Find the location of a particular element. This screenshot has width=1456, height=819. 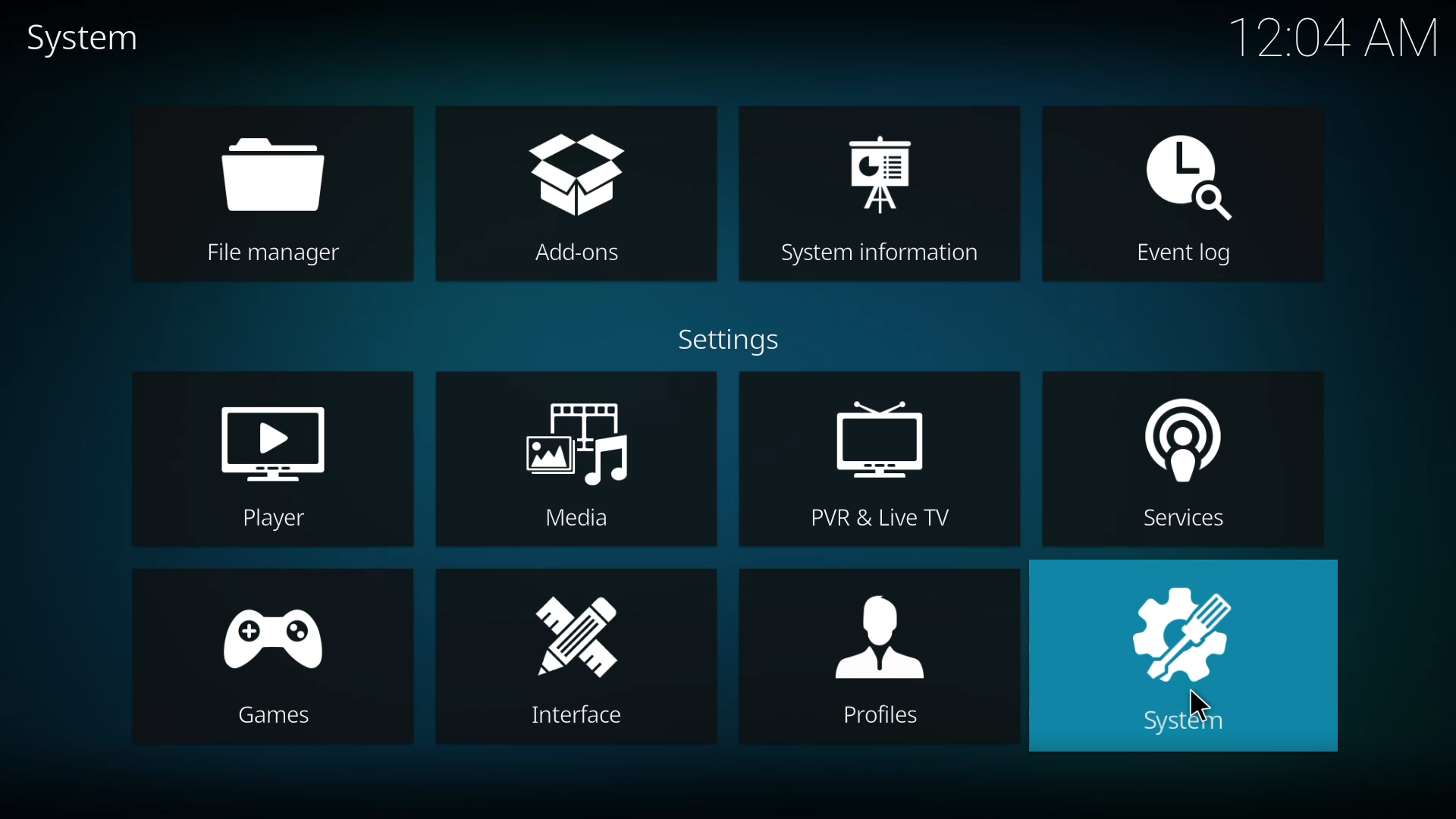

system information is located at coordinates (880, 190).